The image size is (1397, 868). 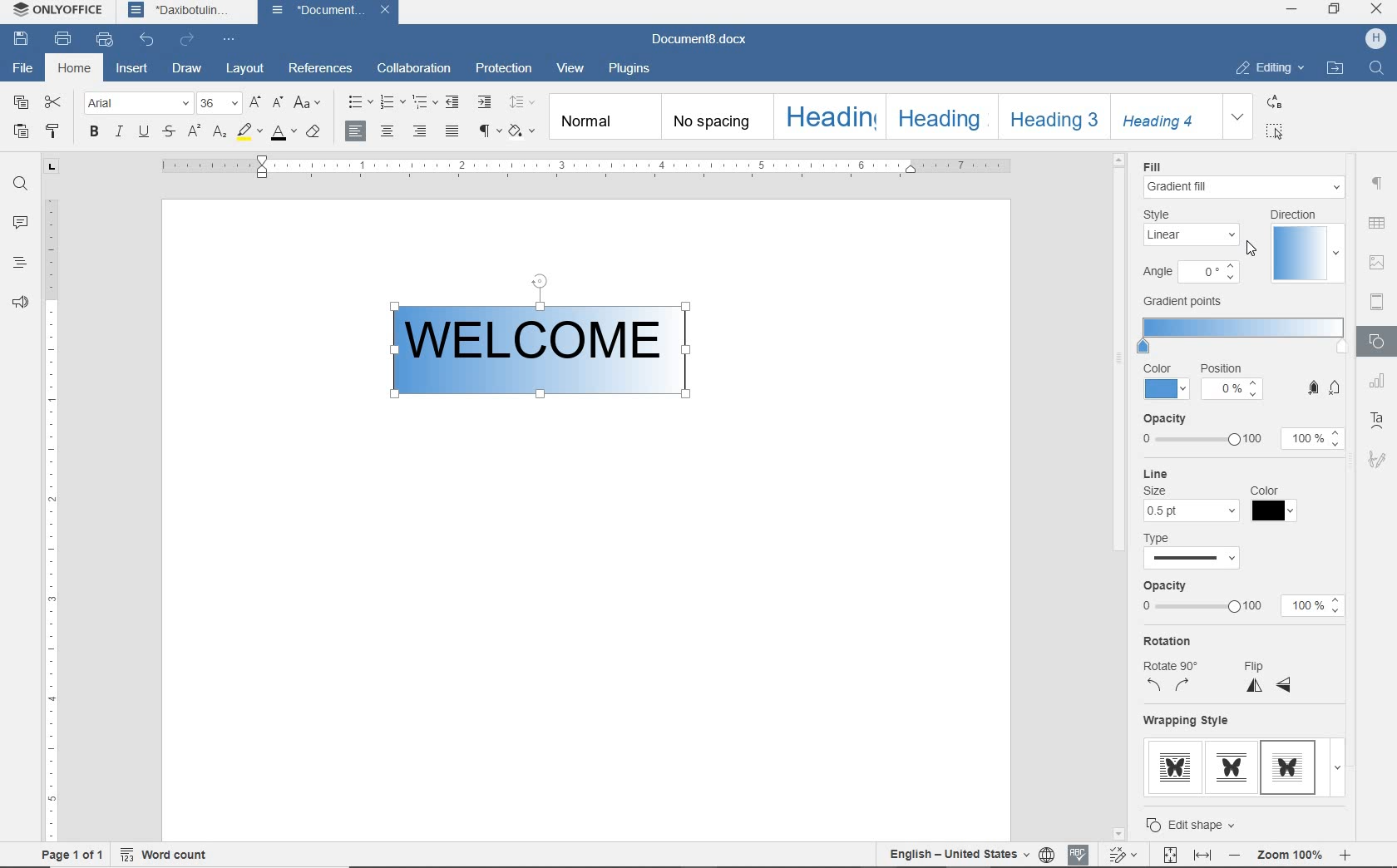 What do you see at coordinates (420, 130) in the screenshot?
I see `ALIGN RIGHT` at bounding box center [420, 130].